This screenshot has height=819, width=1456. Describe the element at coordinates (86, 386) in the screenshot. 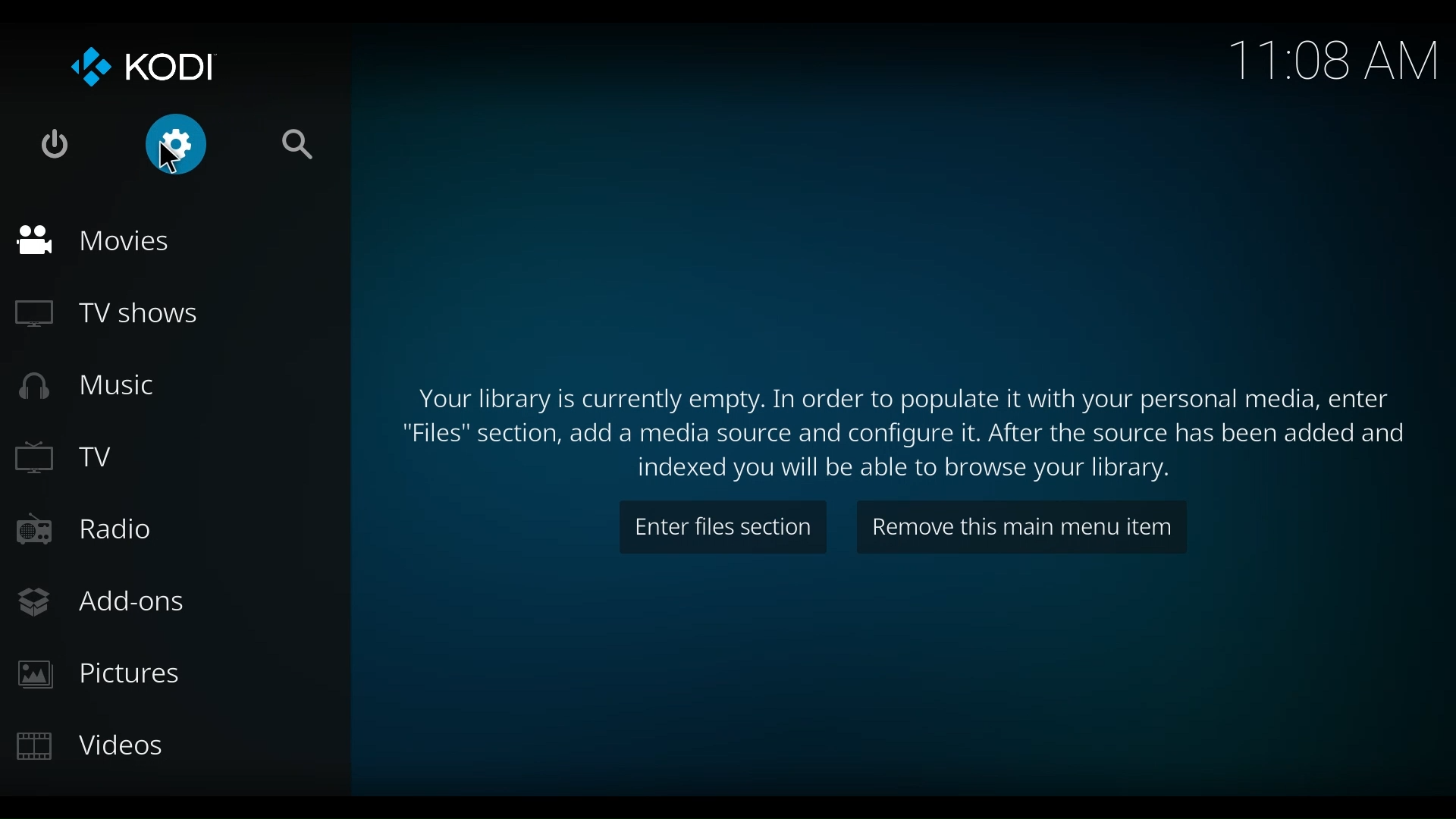

I see `Music` at that location.